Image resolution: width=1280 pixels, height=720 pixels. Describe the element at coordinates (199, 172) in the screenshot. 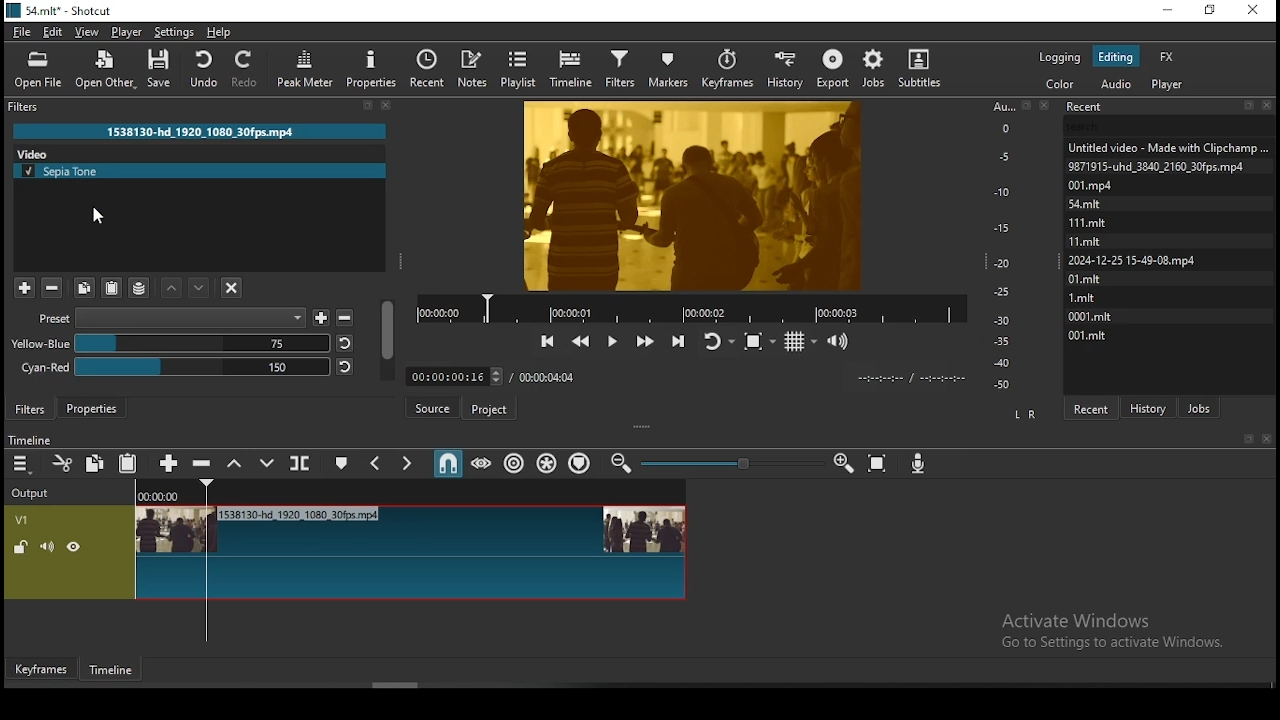

I see `sepia tone` at that location.